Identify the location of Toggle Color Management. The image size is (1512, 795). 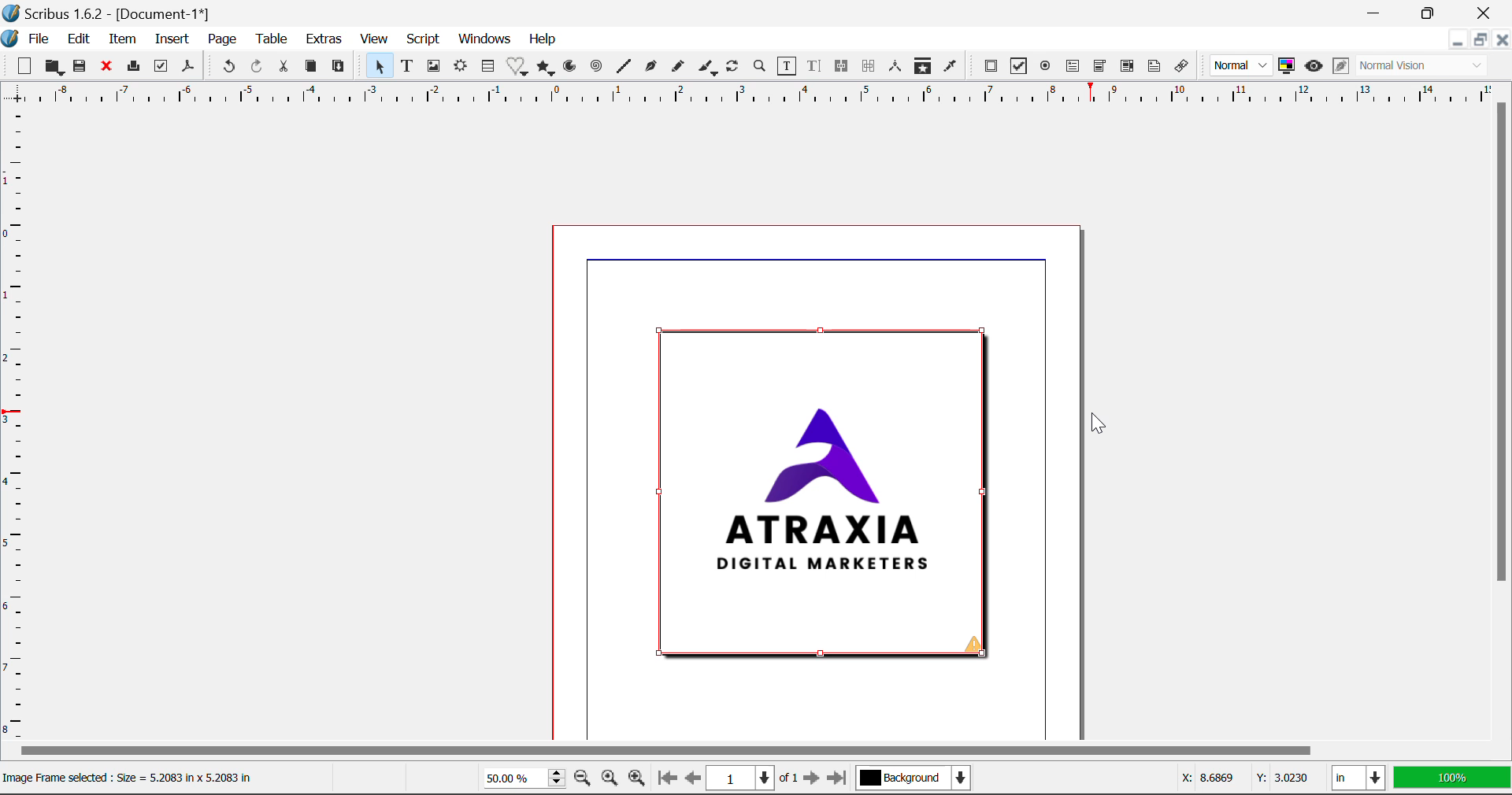
(1286, 66).